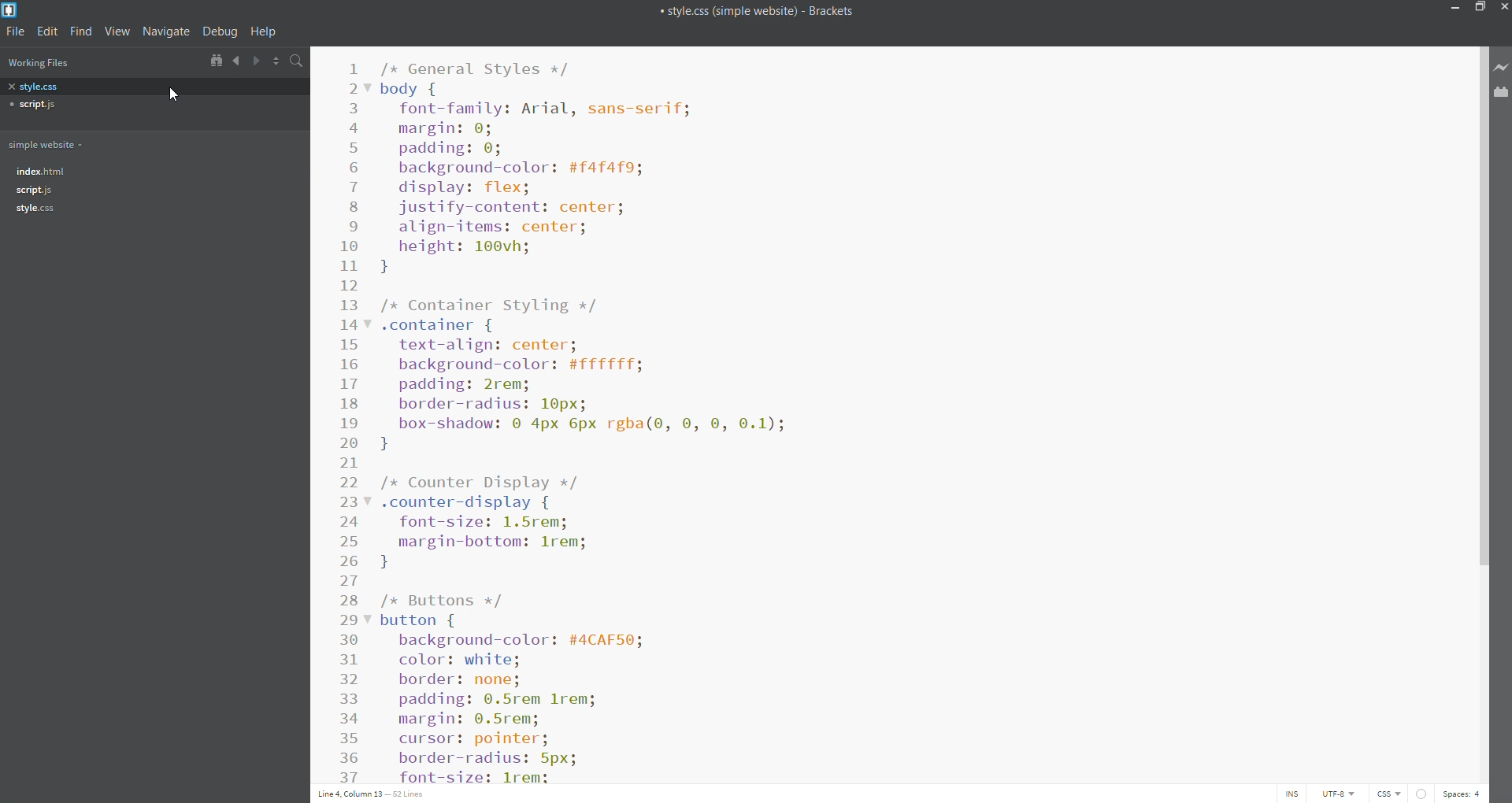 The image size is (1512, 803). Describe the element at coordinates (1426, 793) in the screenshot. I see `errors` at that location.